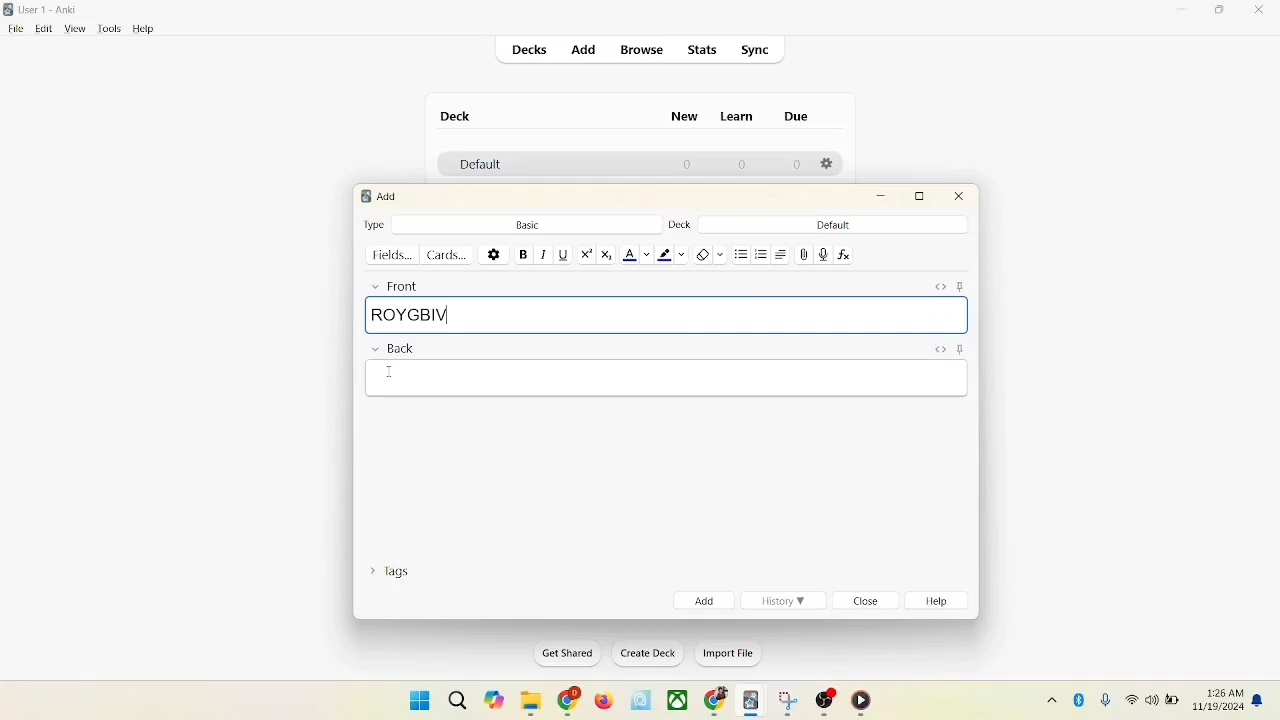 The width and height of the screenshot is (1280, 720). I want to click on close, so click(1260, 11).